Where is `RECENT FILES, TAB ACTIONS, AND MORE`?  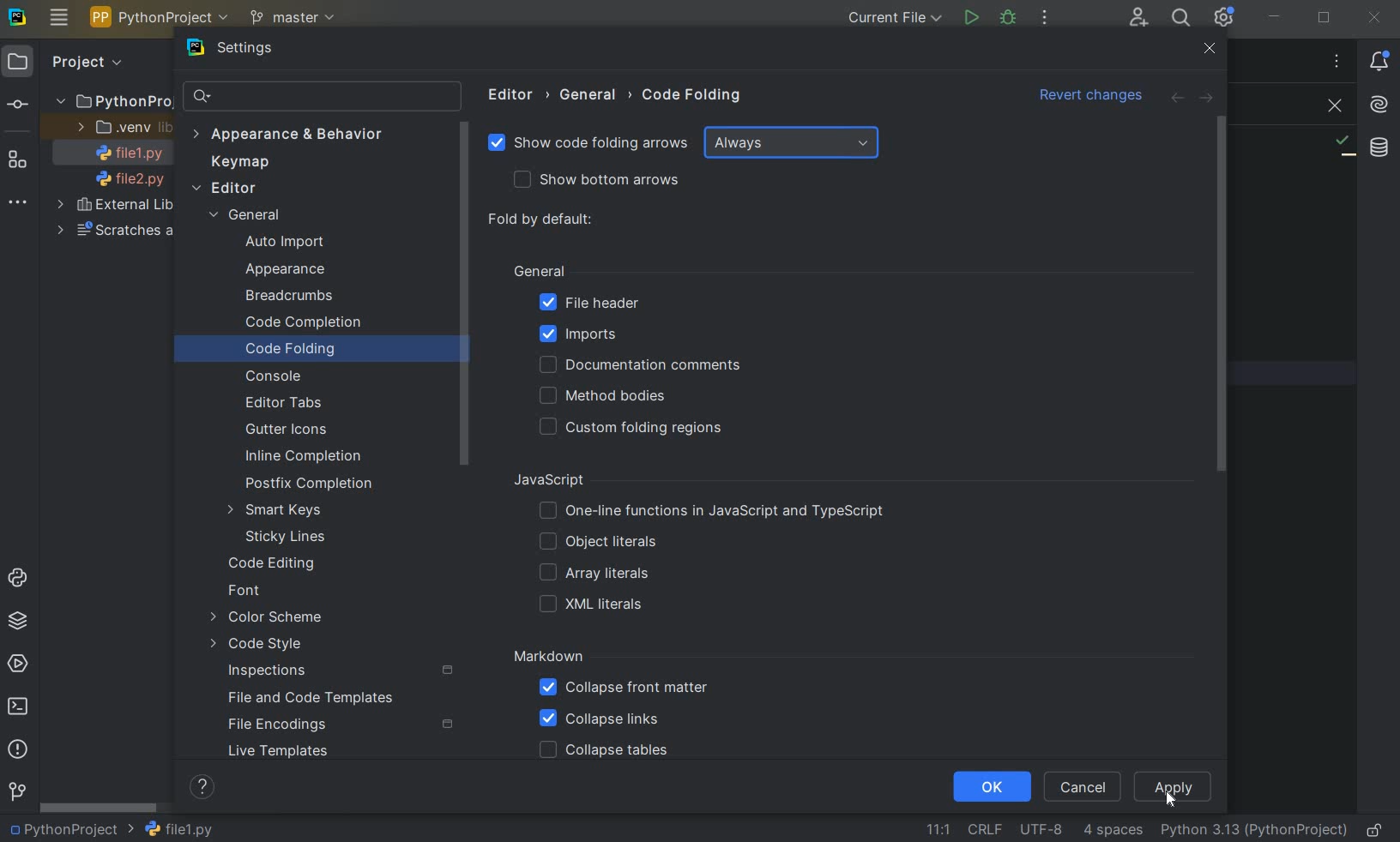
RECENT FILES, TAB ACTIONS, AND MORE is located at coordinates (1336, 61).